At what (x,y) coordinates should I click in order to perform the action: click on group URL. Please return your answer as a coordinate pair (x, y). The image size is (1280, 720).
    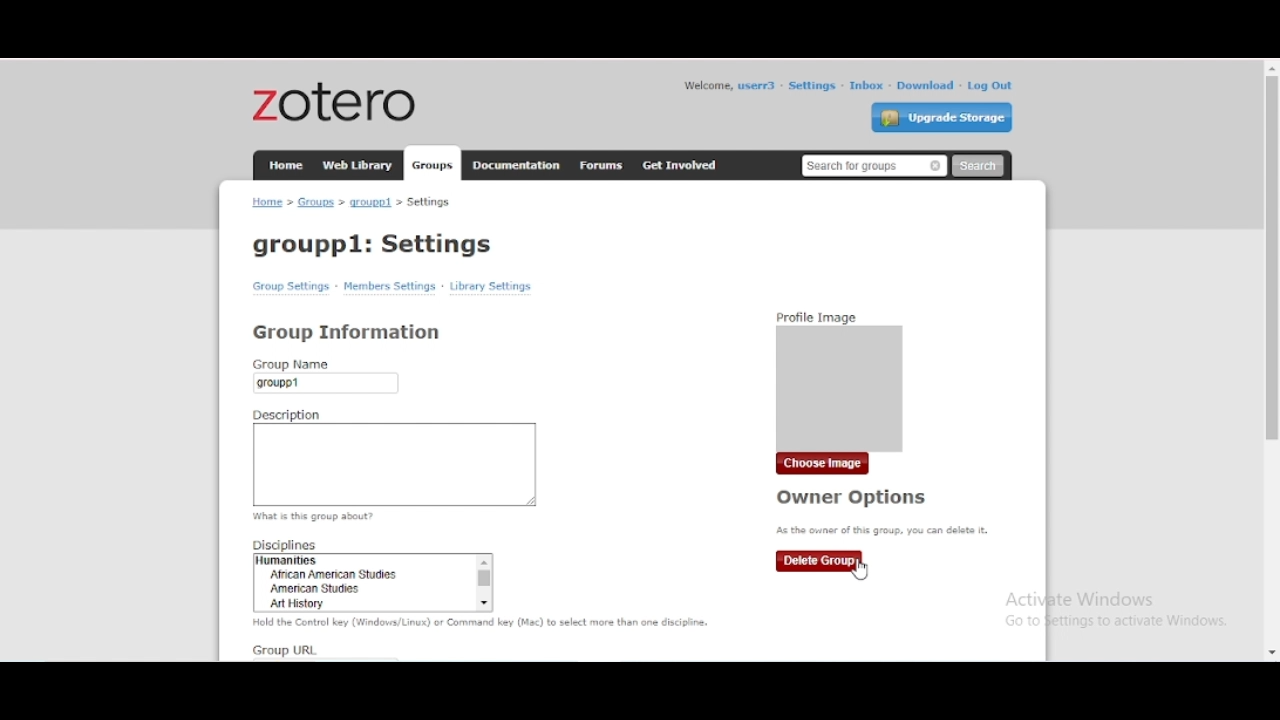
    Looking at the image, I should click on (284, 651).